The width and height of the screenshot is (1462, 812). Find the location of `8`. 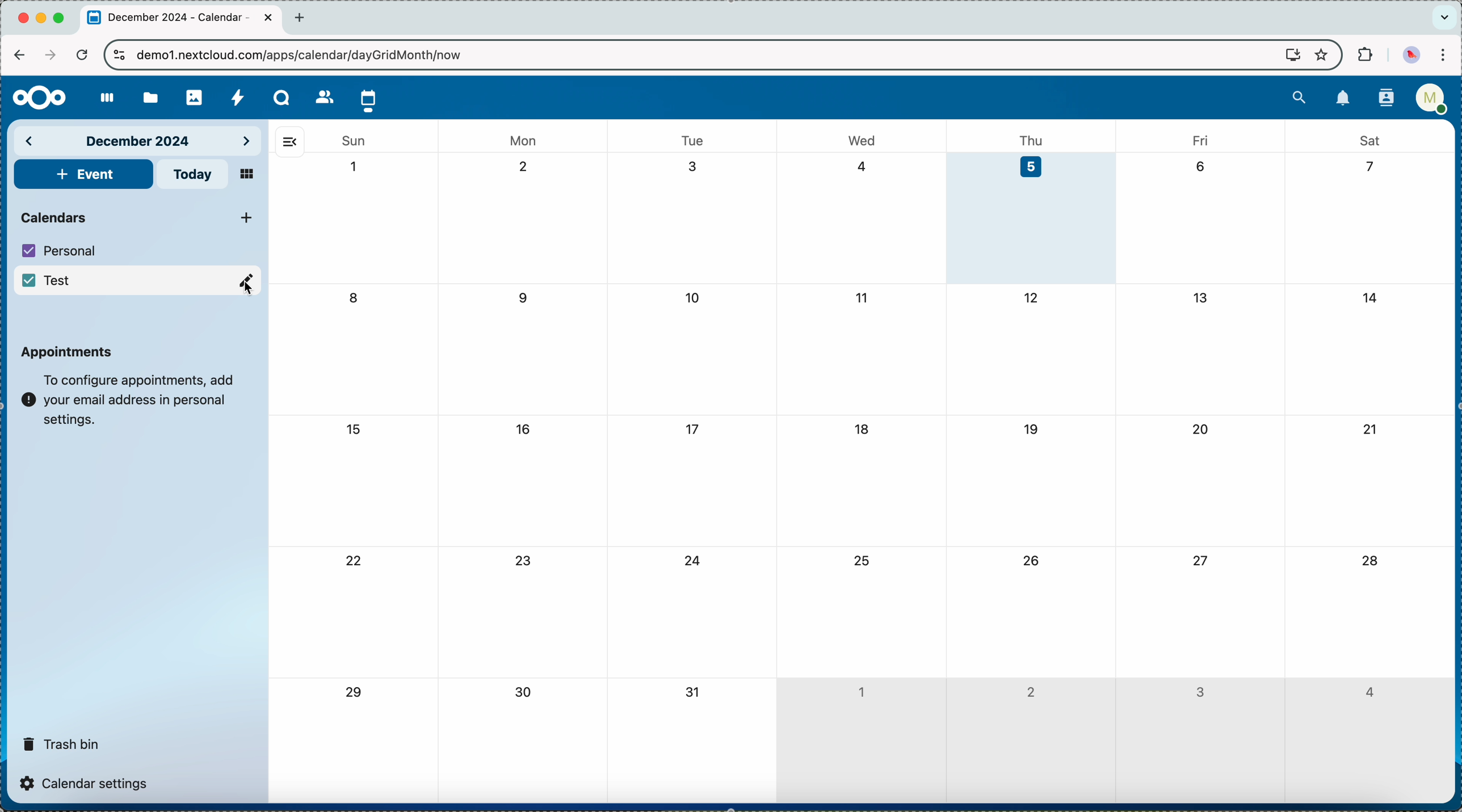

8 is located at coordinates (354, 299).